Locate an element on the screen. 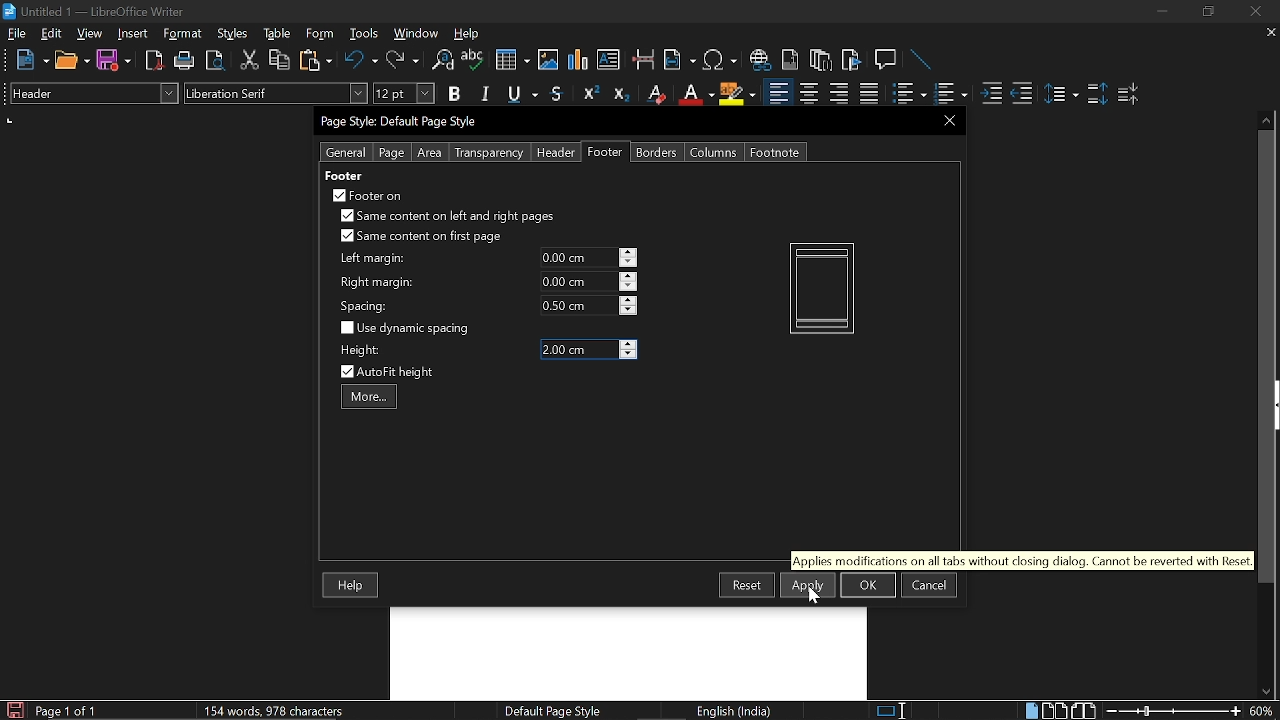 Image resolution: width=1280 pixels, height=720 pixels. Move up is located at coordinates (1267, 118).